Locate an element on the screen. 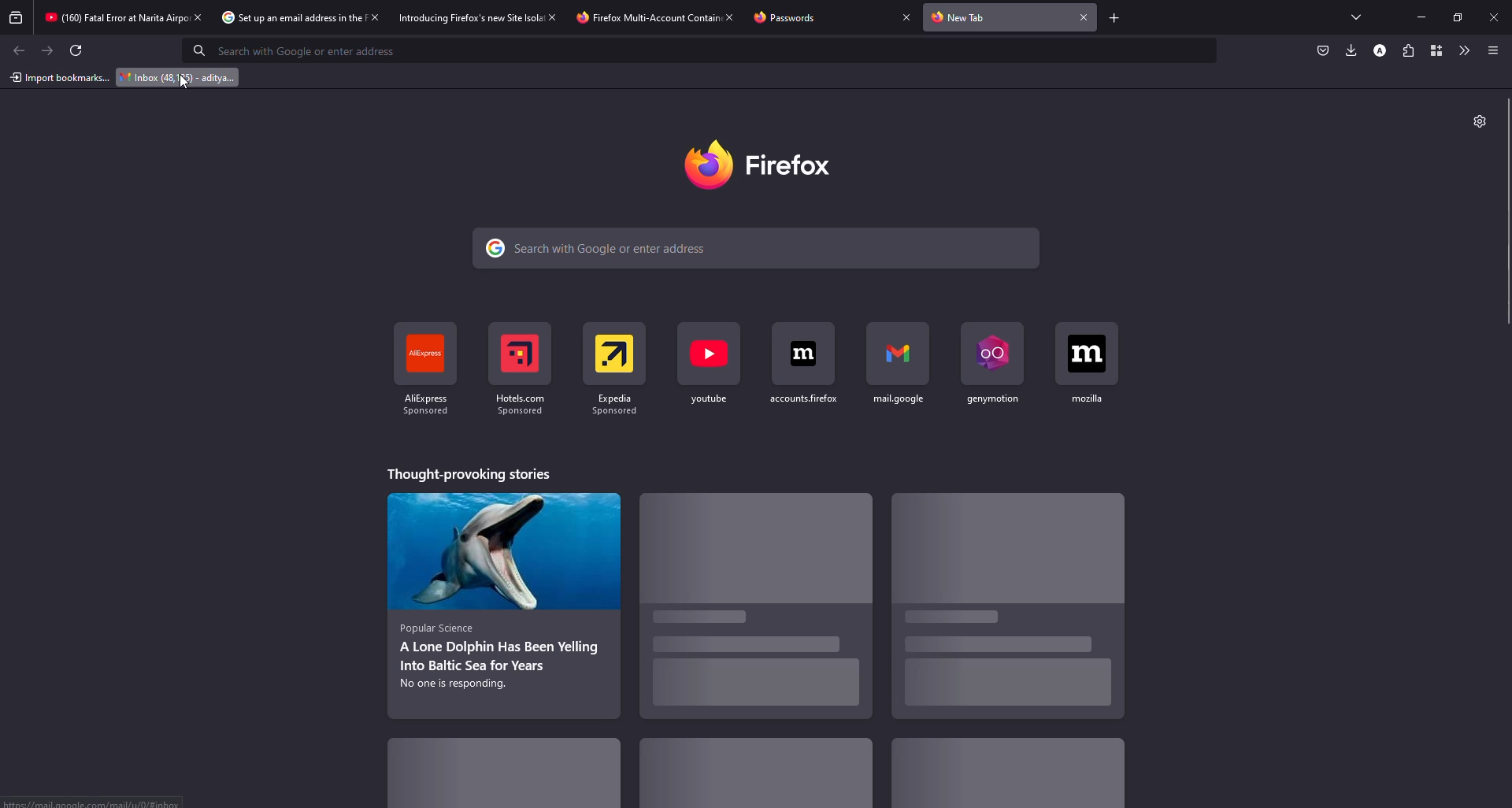 The width and height of the screenshot is (1512, 808). container is located at coordinates (1433, 50).